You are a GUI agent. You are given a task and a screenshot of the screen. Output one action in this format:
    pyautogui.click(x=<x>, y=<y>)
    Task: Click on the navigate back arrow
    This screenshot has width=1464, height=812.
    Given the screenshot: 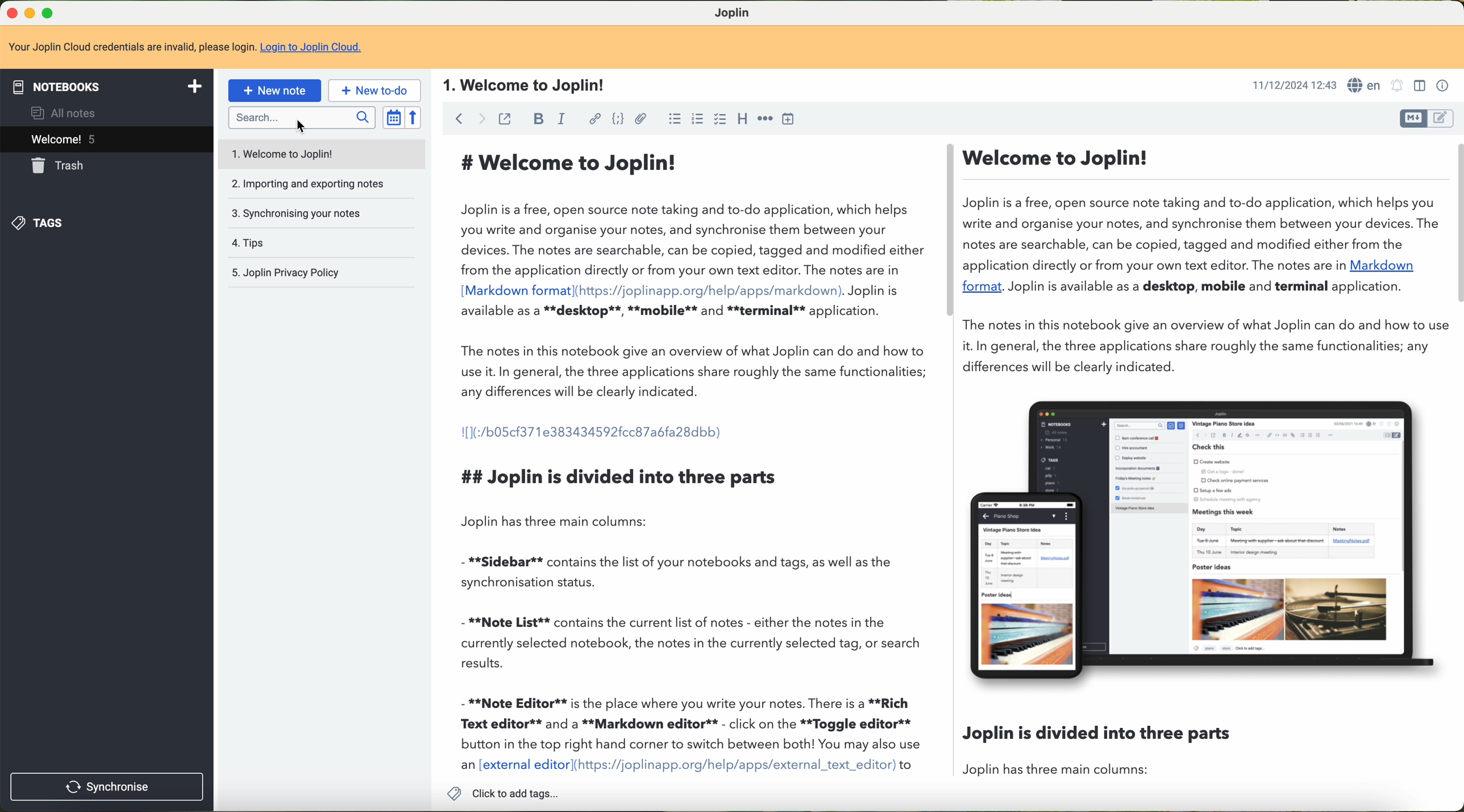 What is the action you would take?
    pyautogui.click(x=456, y=119)
    